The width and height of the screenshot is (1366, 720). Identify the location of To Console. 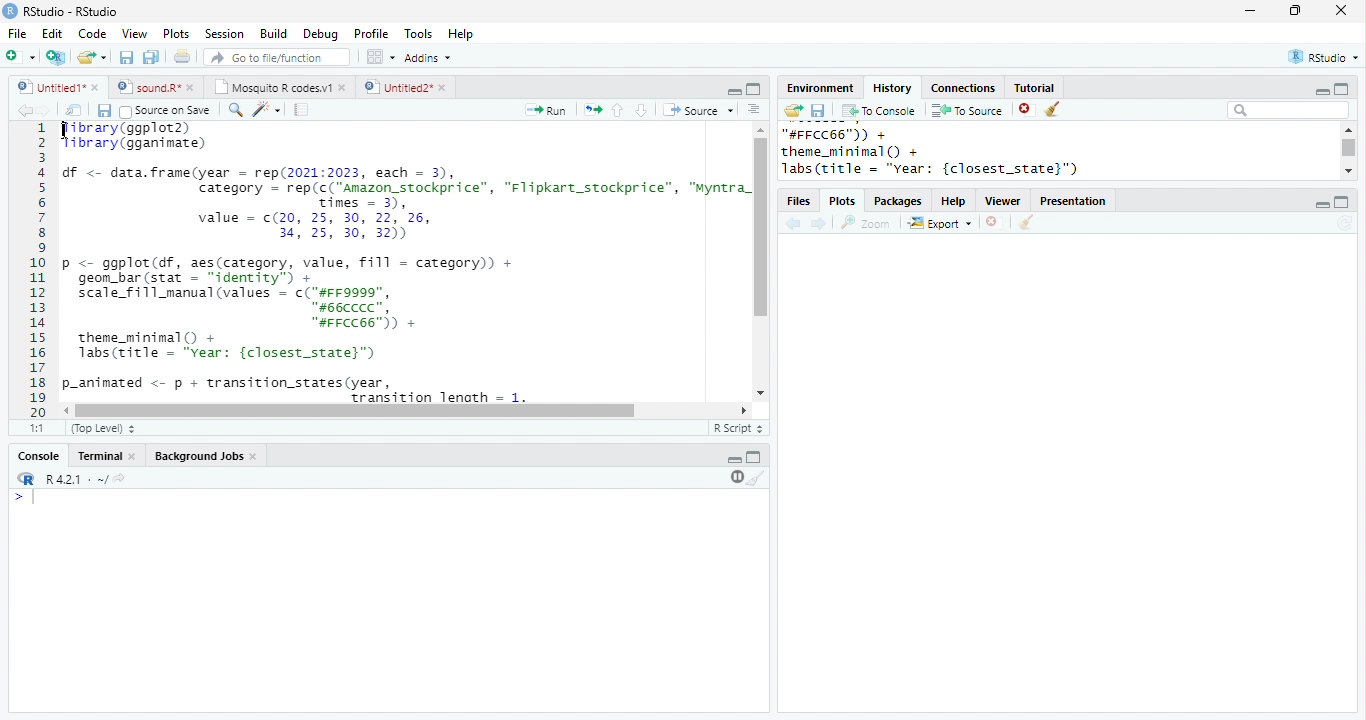
(880, 111).